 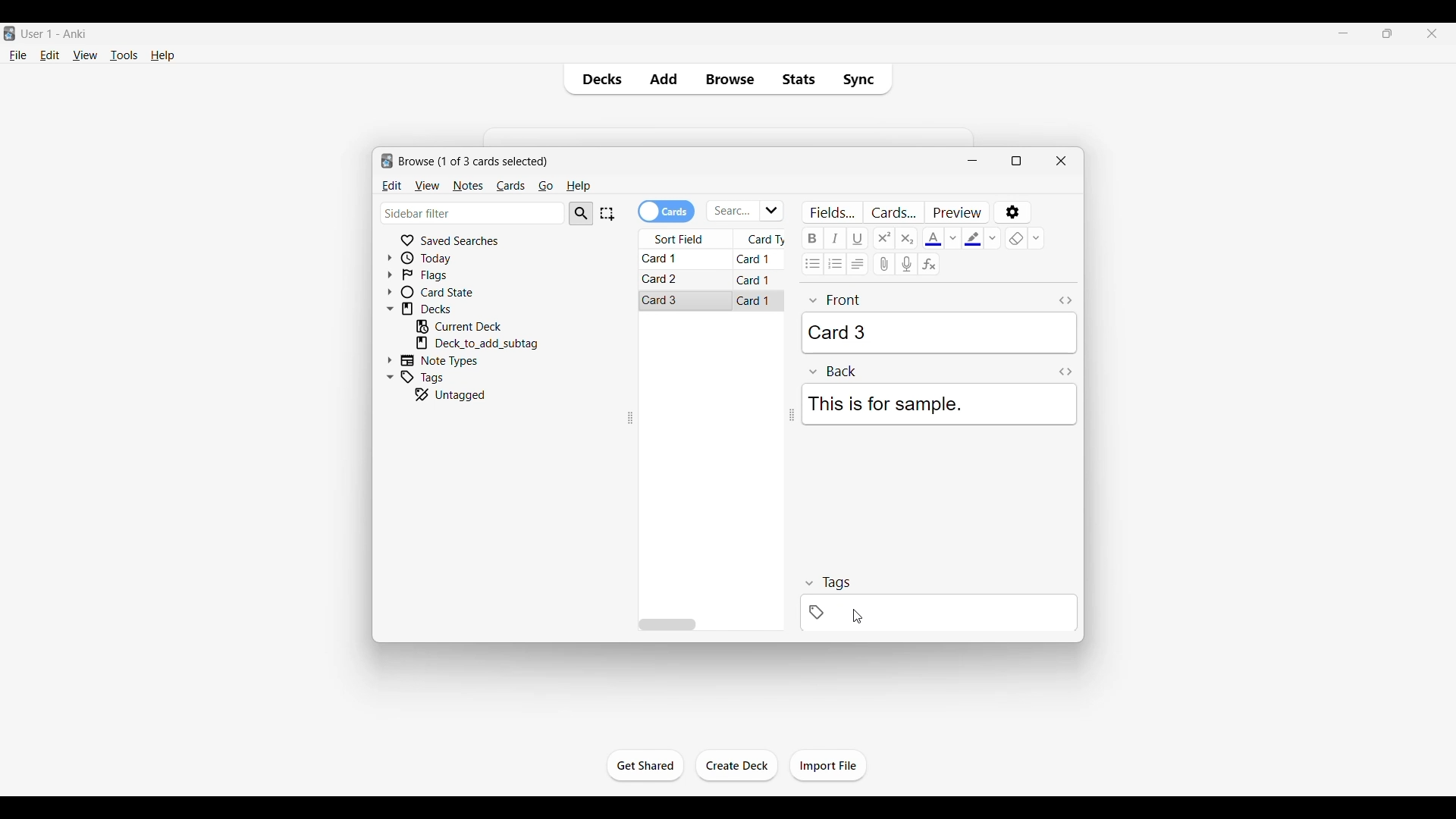 What do you see at coordinates (857, 617) in the screenshot?
I see `cursor` at bounding box center [857, 617].